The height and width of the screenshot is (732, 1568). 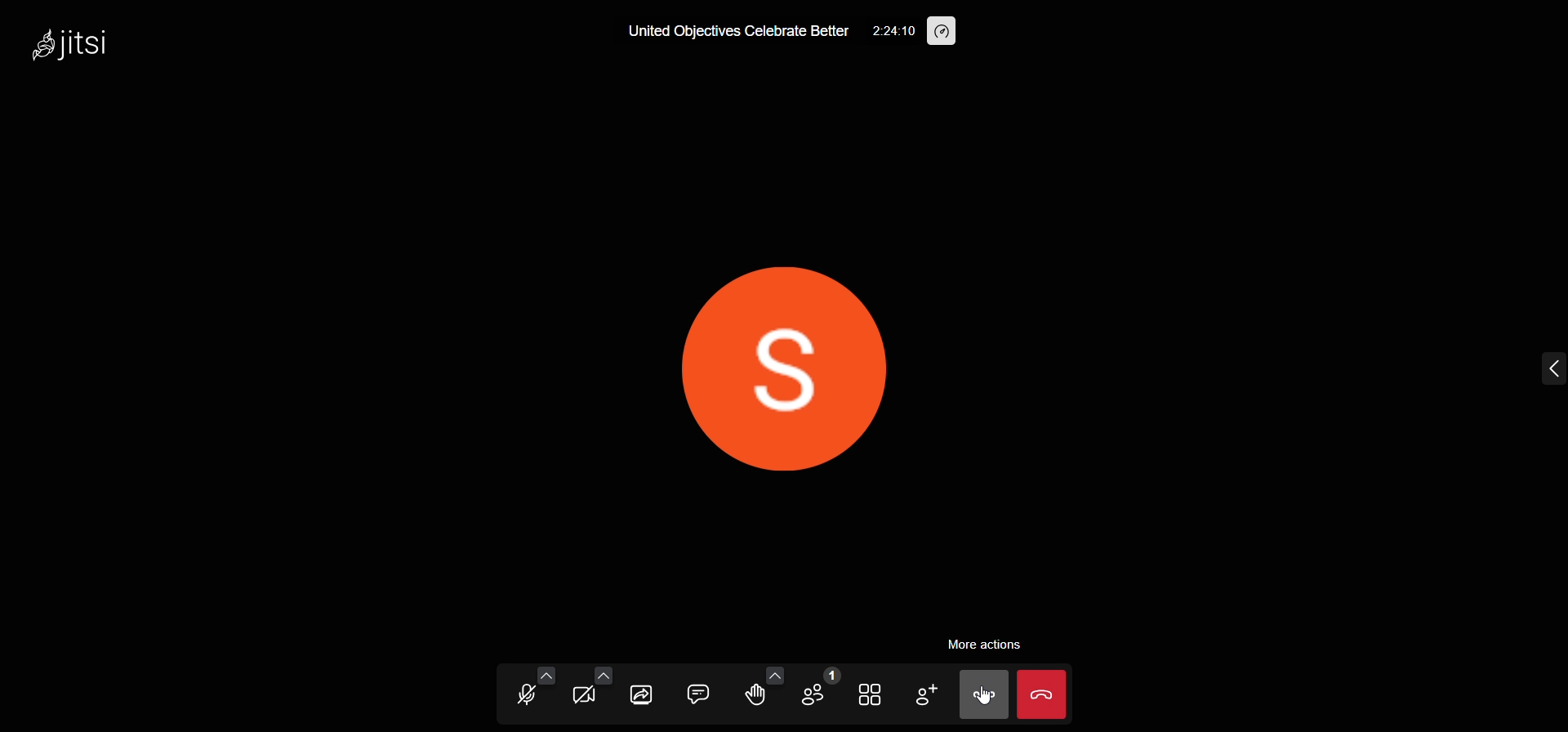 What do you see at coordinates (774, 674) in the screenshot?
I see `more emoji` at bounding box center [774, 674].